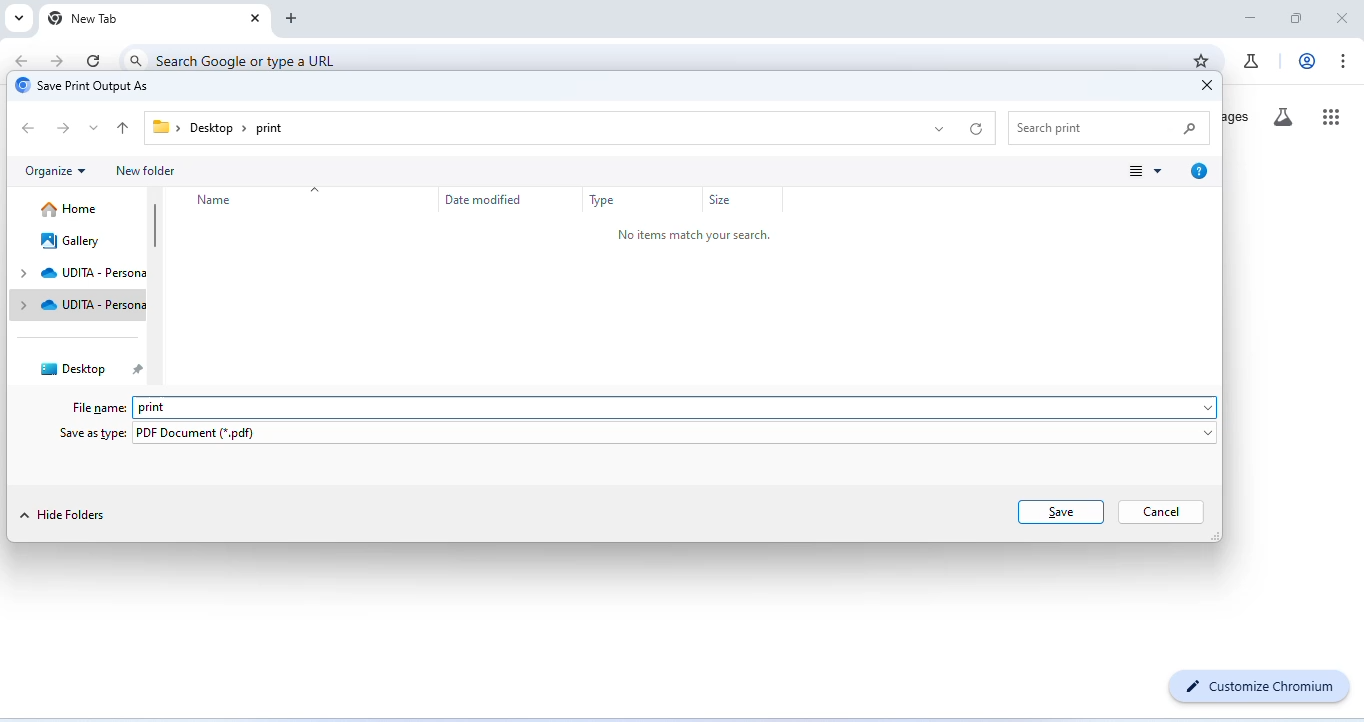 Image resolution: width=1364 pixels, height=722 pixels. I want to click on cancel, so click(1160, 513).